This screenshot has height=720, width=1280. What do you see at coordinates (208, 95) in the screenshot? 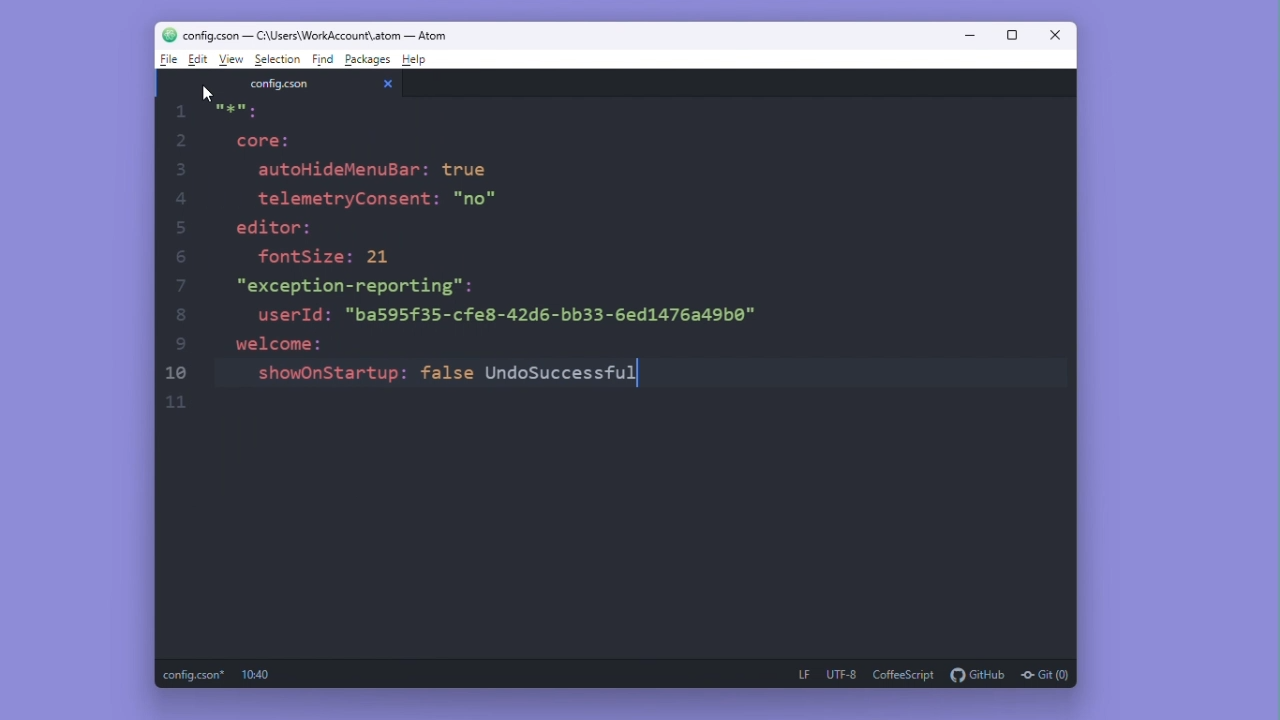
I see `cursor` at bounding box center [208, 95].